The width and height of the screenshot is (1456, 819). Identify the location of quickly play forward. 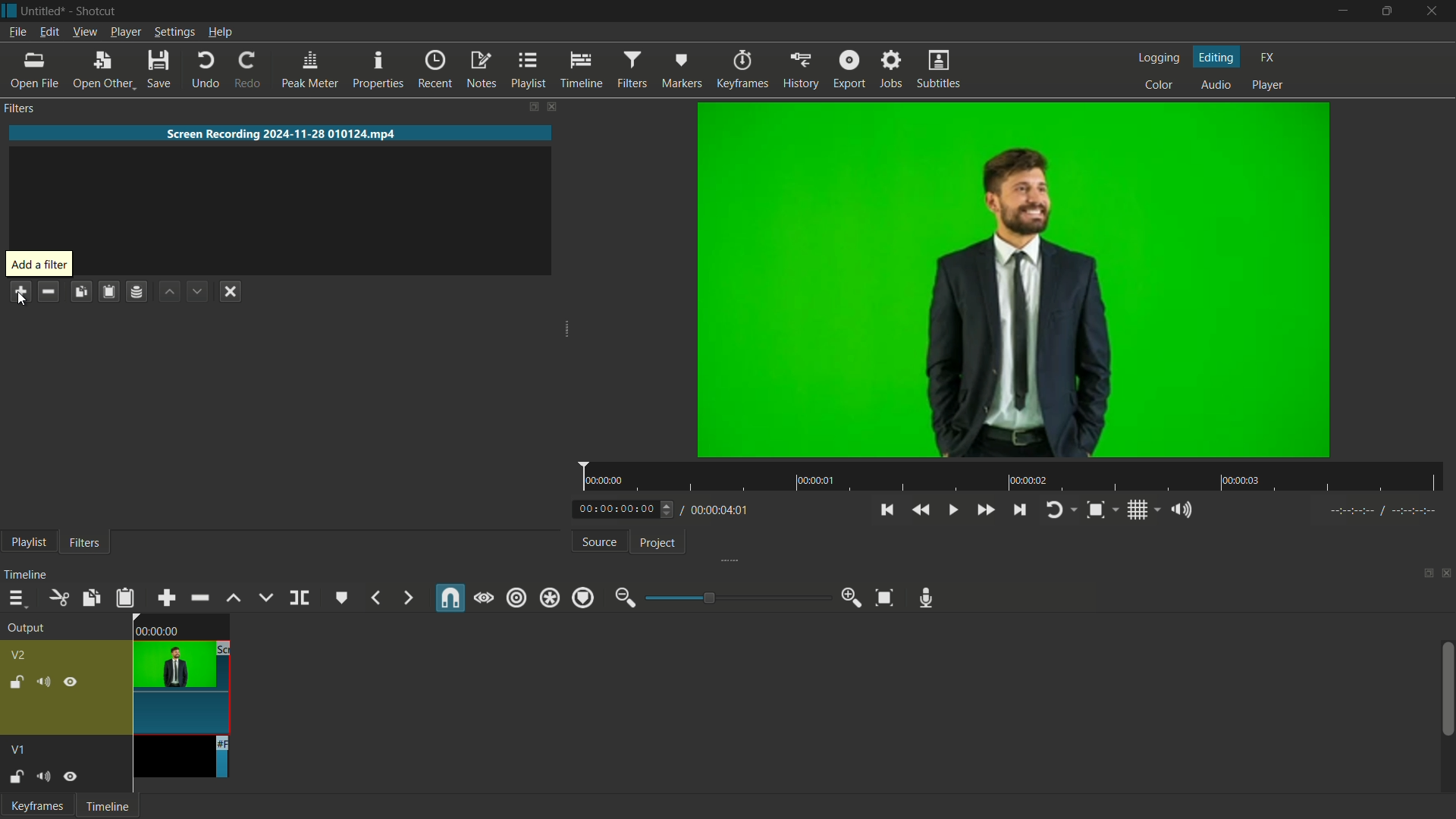
(985, 510).